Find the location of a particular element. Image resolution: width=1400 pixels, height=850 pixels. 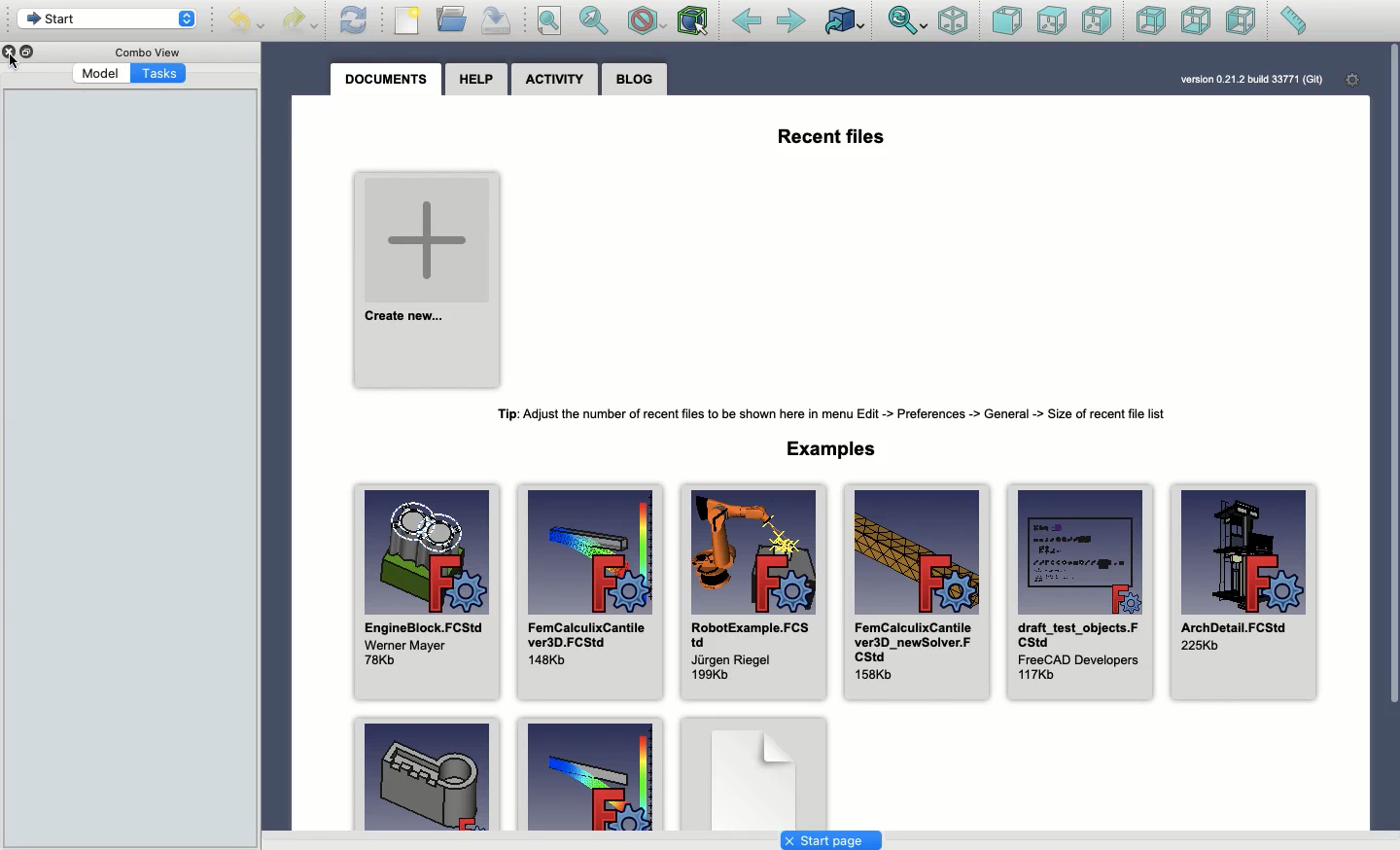

Vertical scroll is located at coordinates (1393, 436).